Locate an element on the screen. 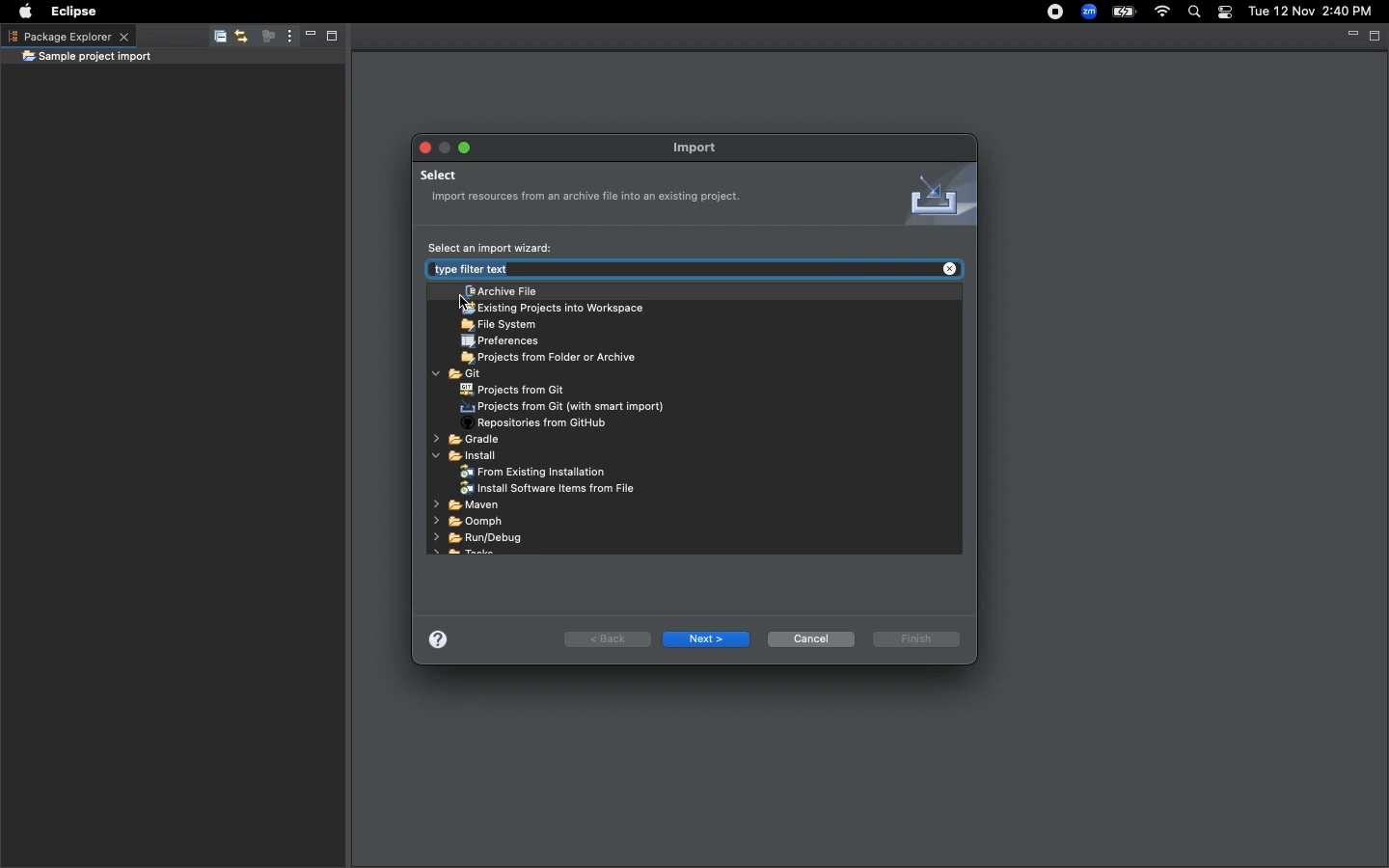 The height and width of the screenshot is (868, 1389). Projects from Git is located at coordinates (512, 390).